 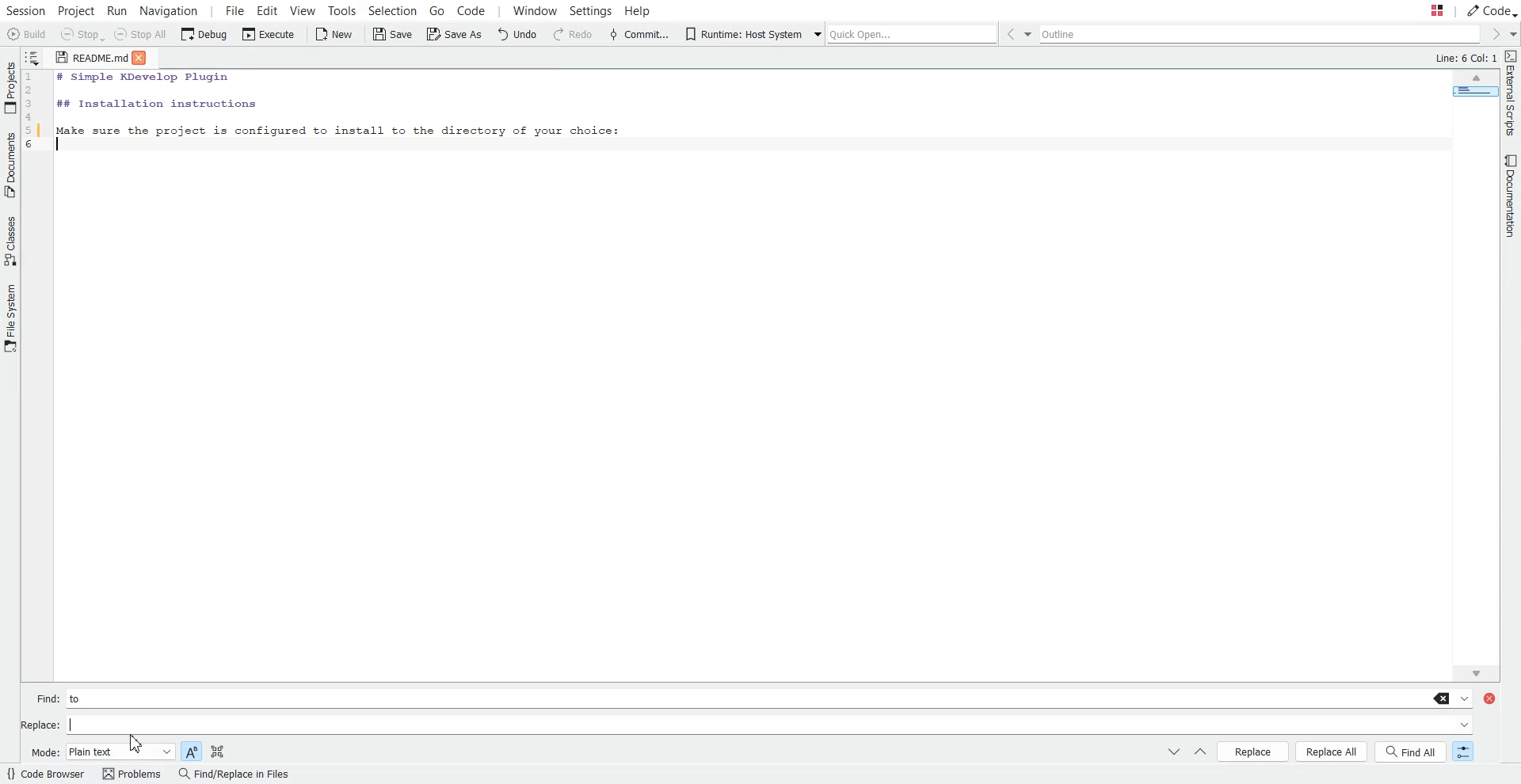 I want to click on Stop All, so click(x=143, y=36).